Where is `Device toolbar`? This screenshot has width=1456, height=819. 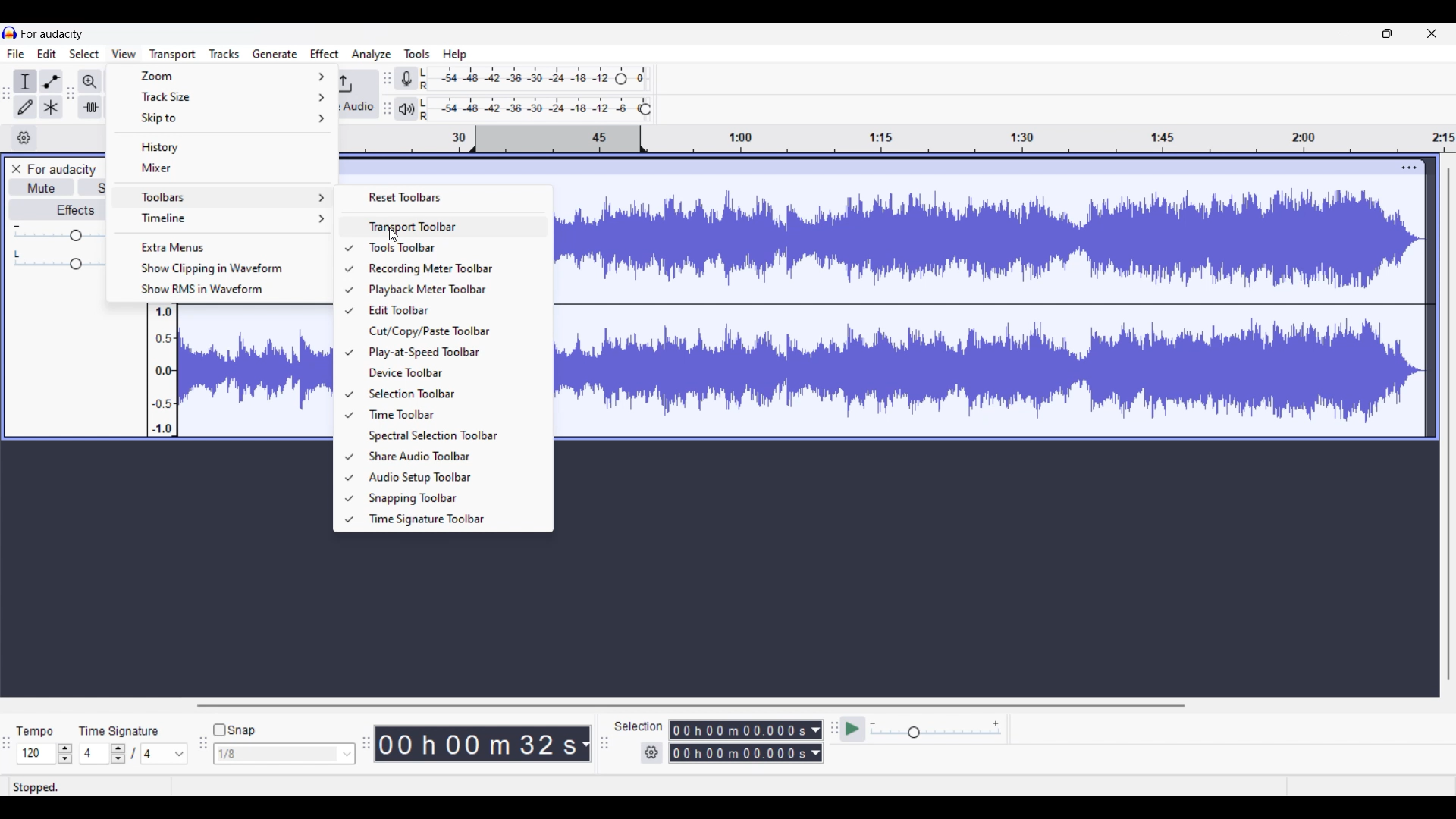
Device toolbar is located at coordinates (451, 373).